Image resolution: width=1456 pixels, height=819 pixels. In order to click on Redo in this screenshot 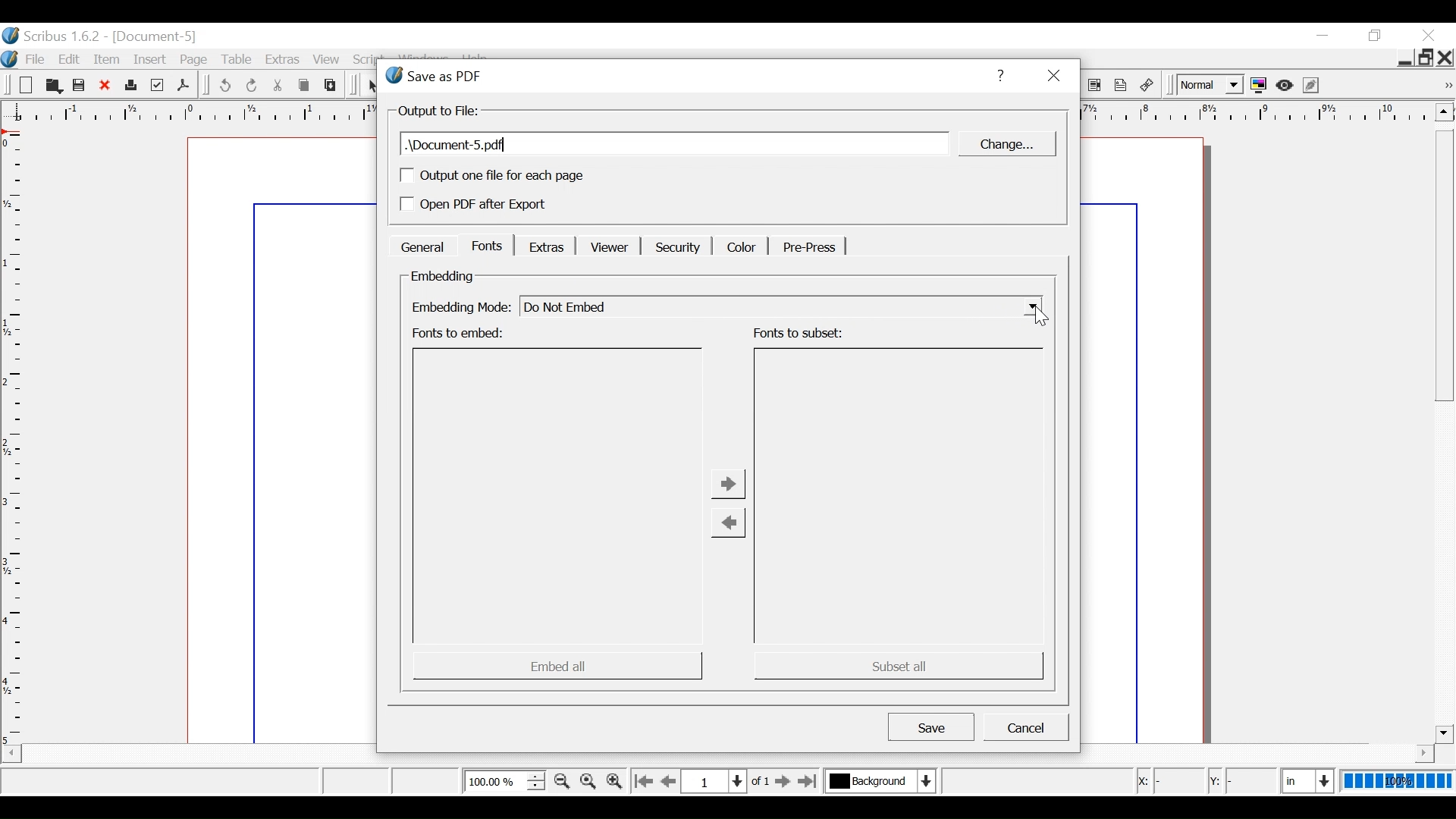, I will do `click(253, 86)`.